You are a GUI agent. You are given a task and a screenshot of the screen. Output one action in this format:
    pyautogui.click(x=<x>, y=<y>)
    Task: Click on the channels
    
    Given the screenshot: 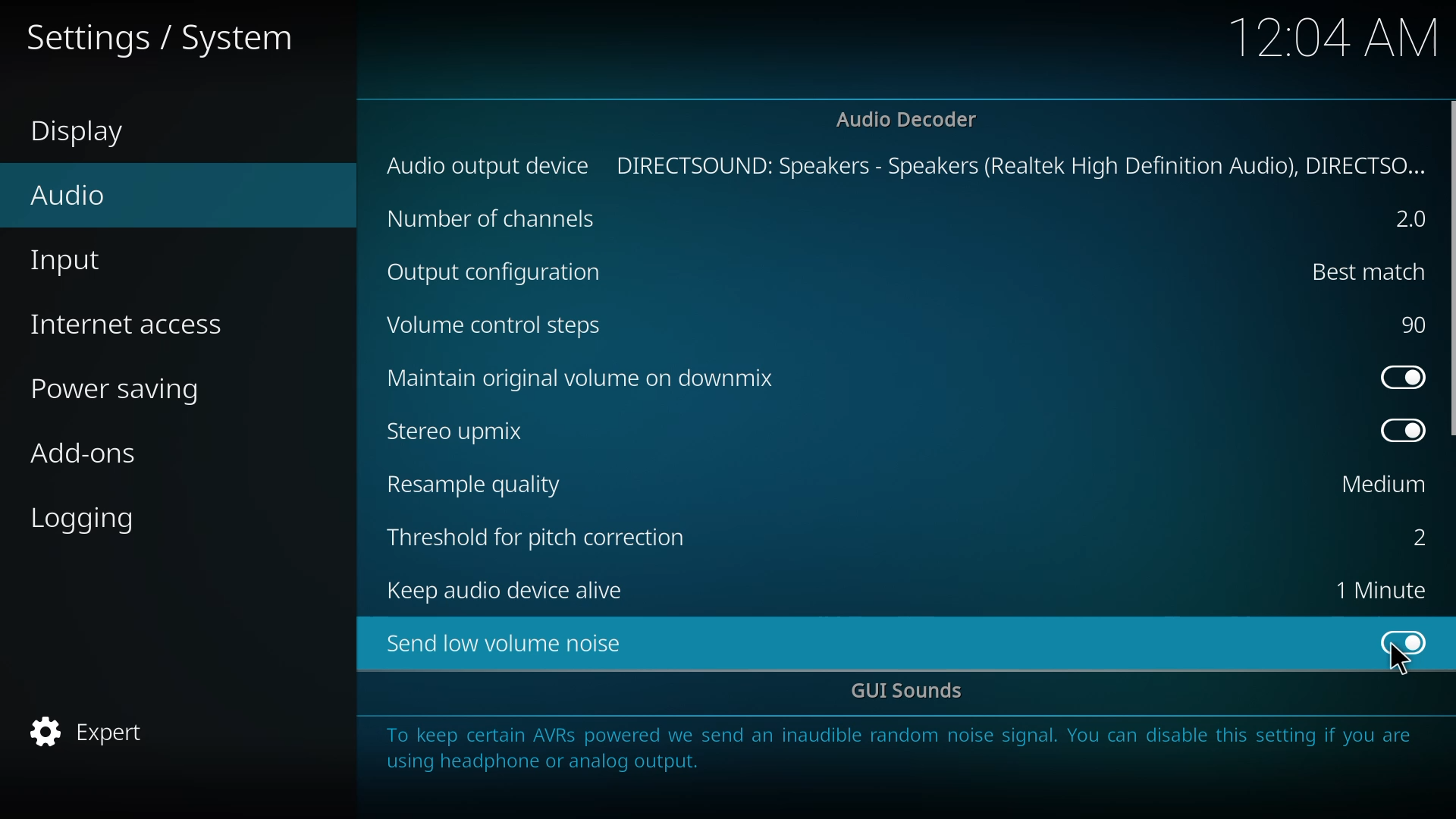 What is the action you would take?
    pyautogui.click(x=497, y=216)
    